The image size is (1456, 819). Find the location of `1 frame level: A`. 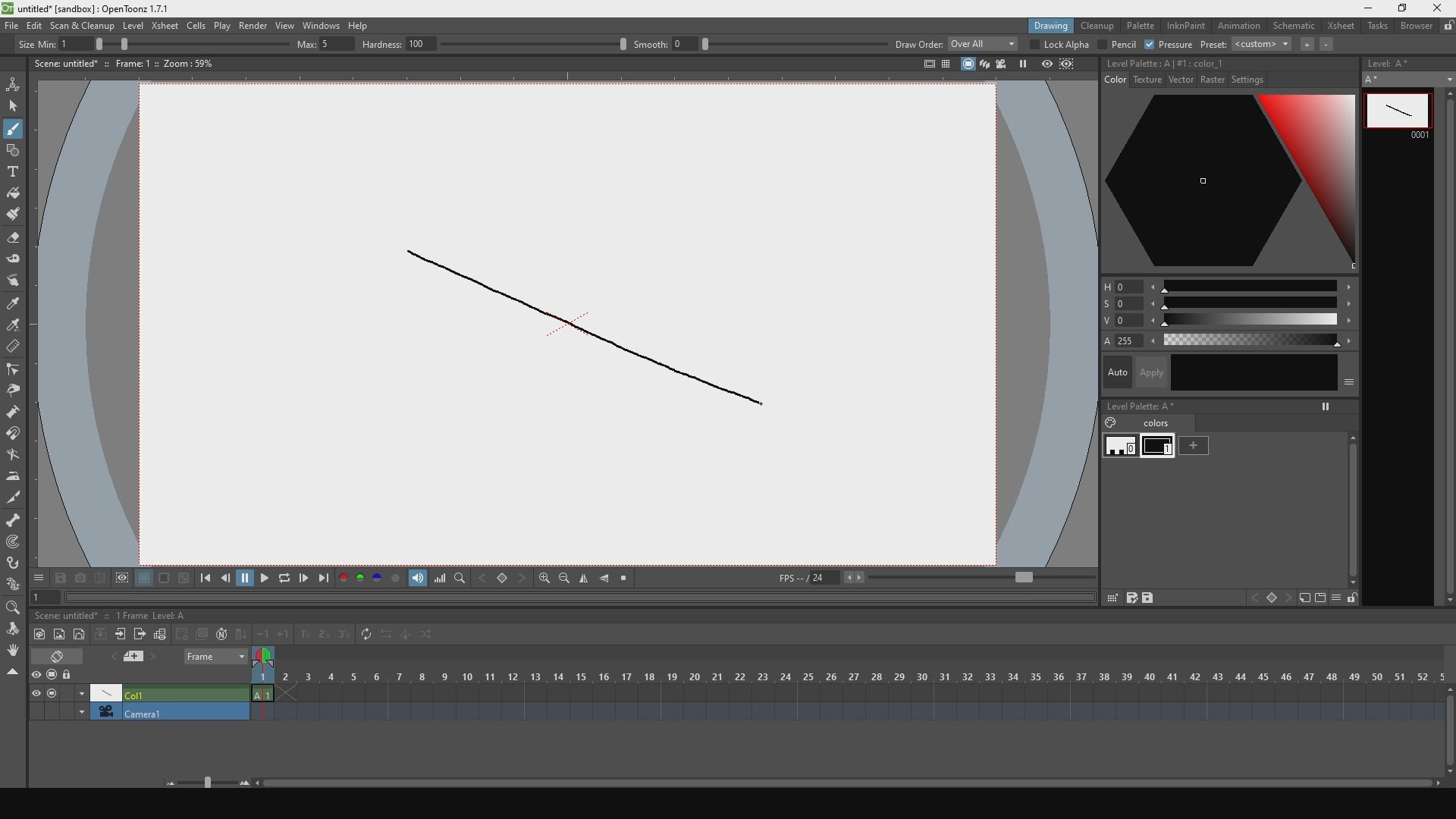

1 frame level: A is located at coordinates (154, 614).